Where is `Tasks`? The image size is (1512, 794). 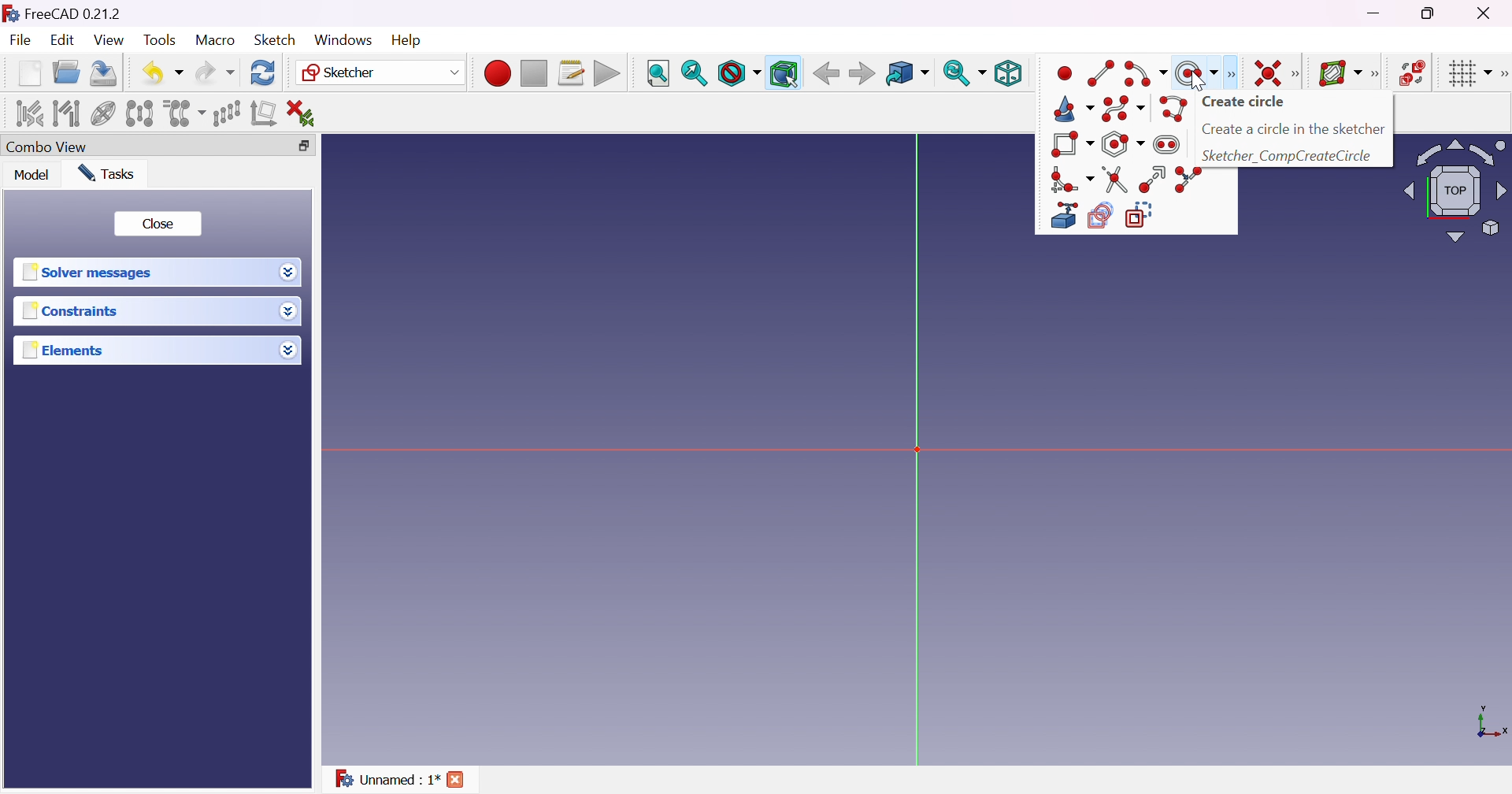 Tasks is located at coordinates (107, 173).